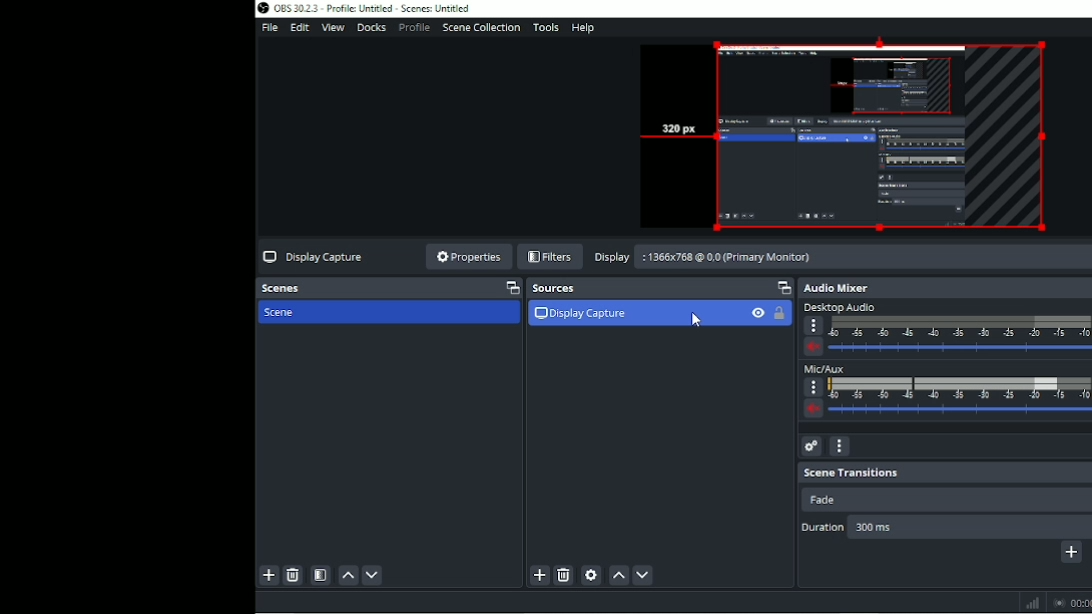 The height and width of the screenshot is (614, 1092). I want to click on Move source (s) up, so click(618, 575).